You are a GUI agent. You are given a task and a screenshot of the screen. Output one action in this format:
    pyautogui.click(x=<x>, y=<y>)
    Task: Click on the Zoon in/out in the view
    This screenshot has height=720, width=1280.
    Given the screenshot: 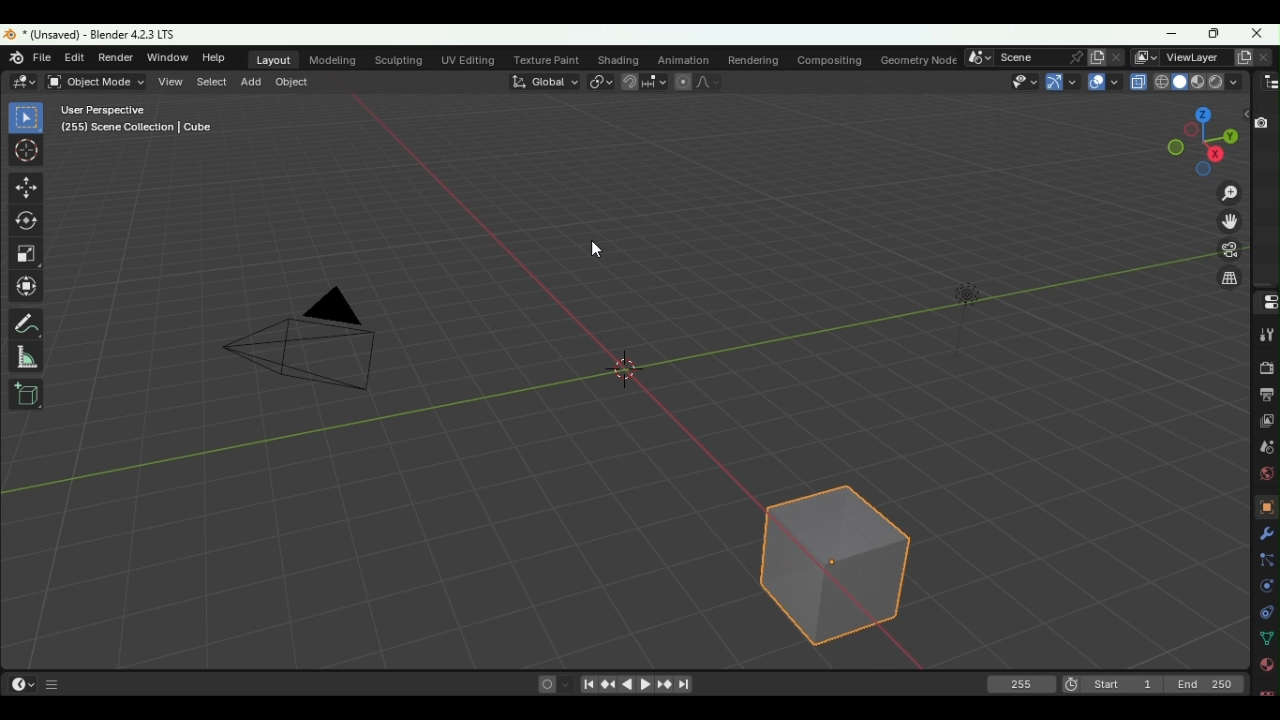 What is the action you would take?
    pyautogui.click(x=1225, y=193)
    